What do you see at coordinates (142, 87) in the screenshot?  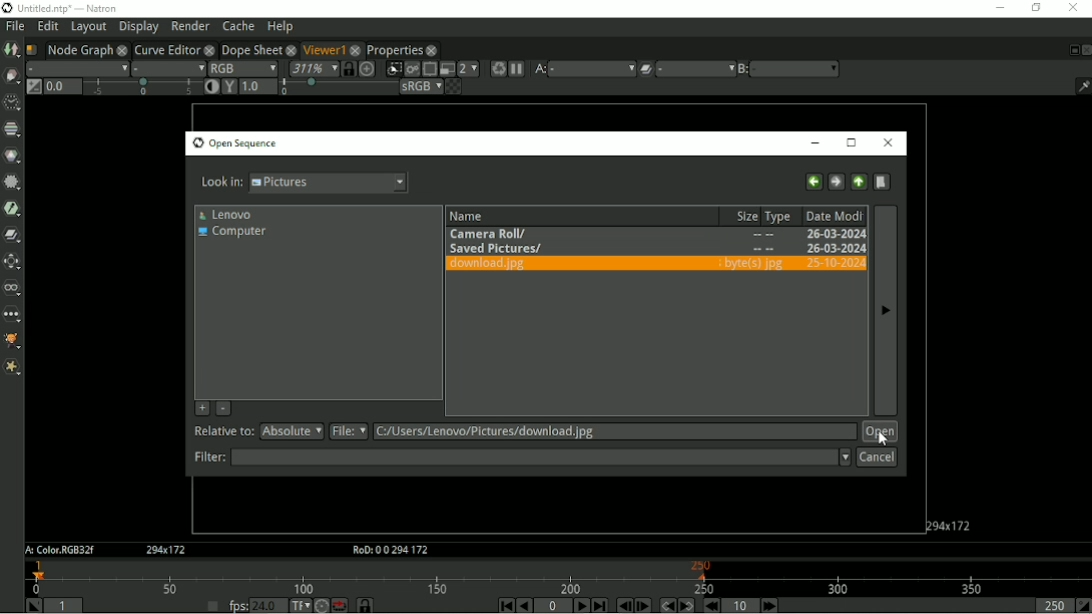 I see `selection bar` at bounding box center [142, 87].